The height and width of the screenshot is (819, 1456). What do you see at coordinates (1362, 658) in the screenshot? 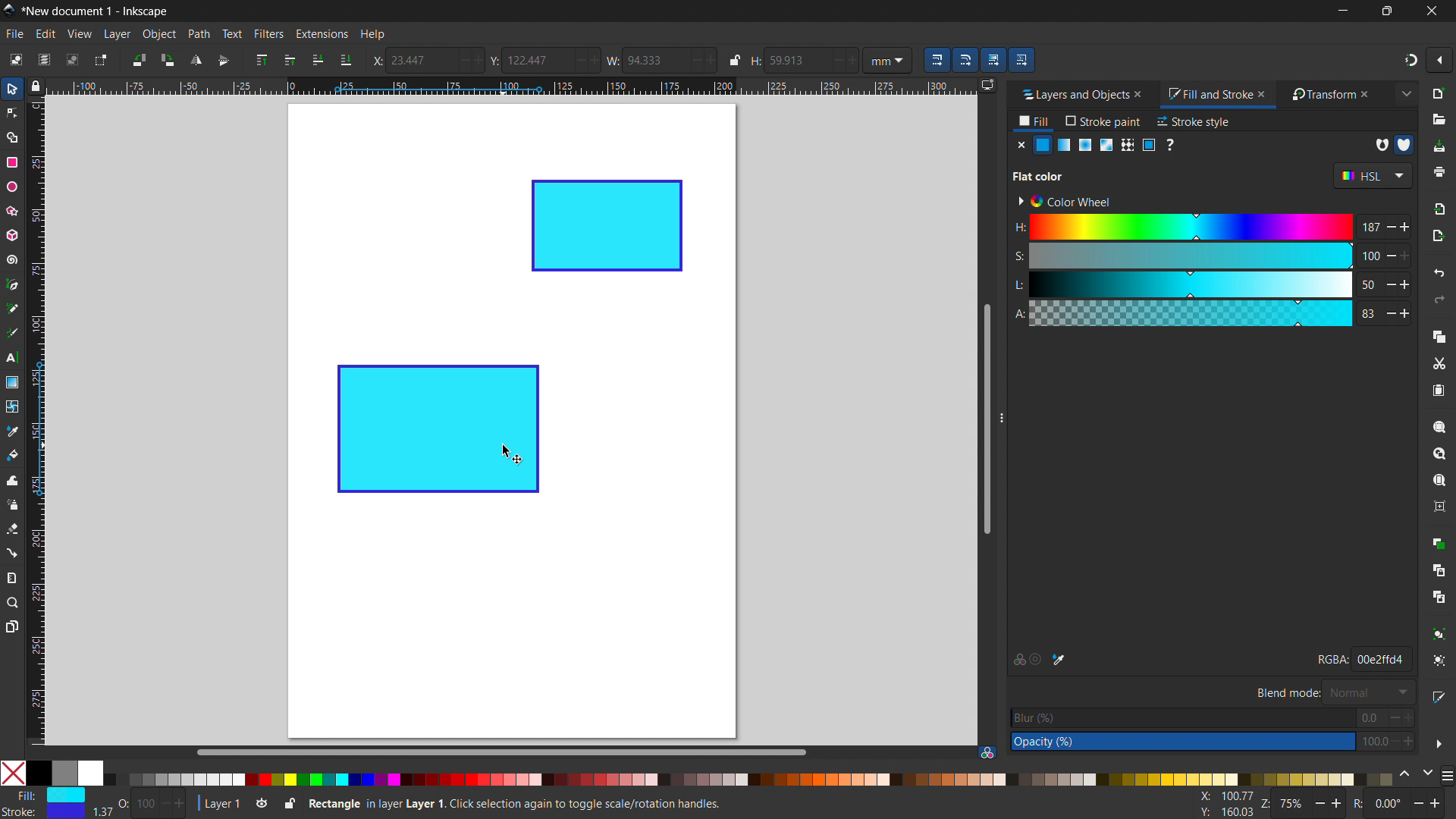
I see `RGBA: 00e2ffd4` at bounding box center [1362, 658].